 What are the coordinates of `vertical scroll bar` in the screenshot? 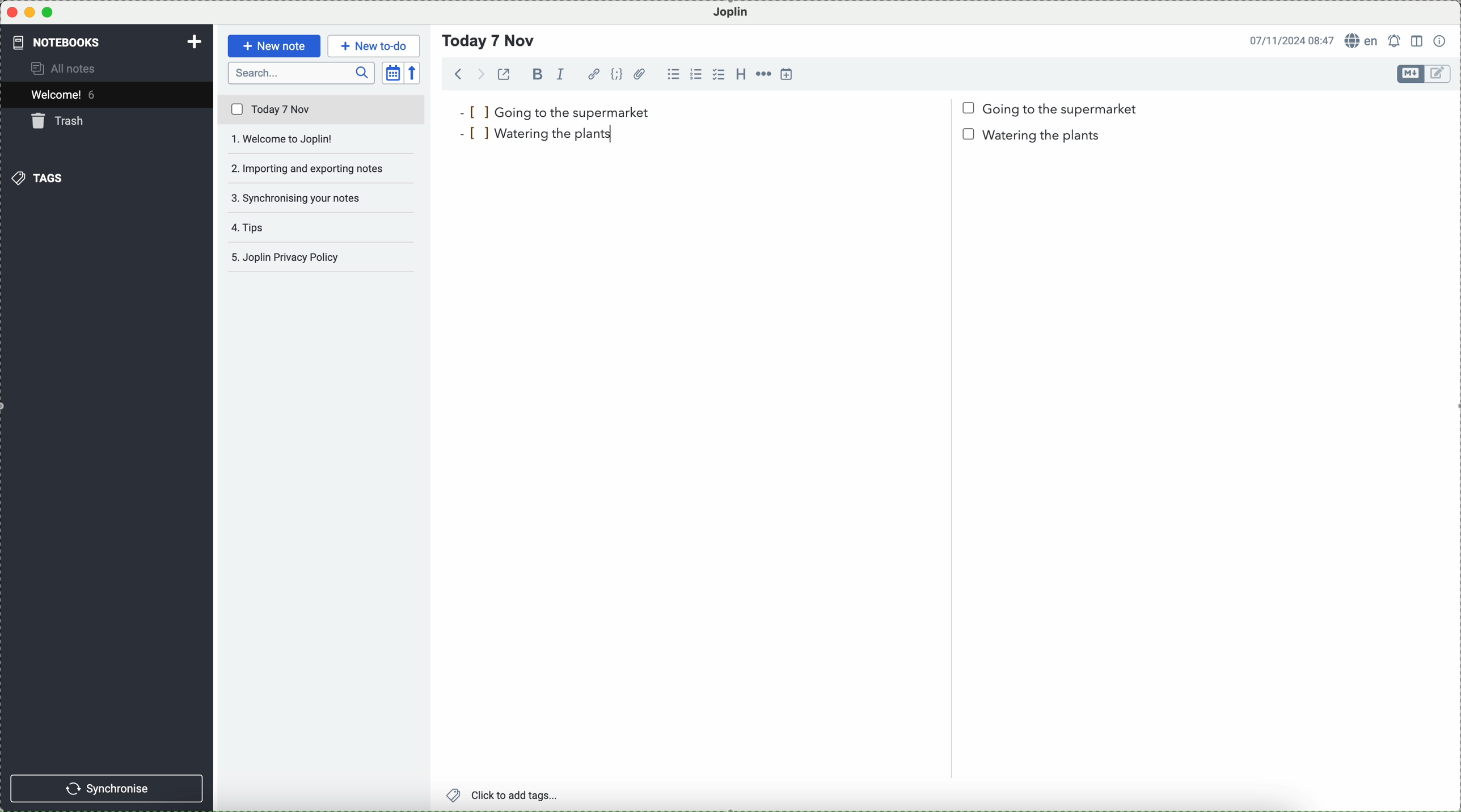 It's located at (1451, 192).